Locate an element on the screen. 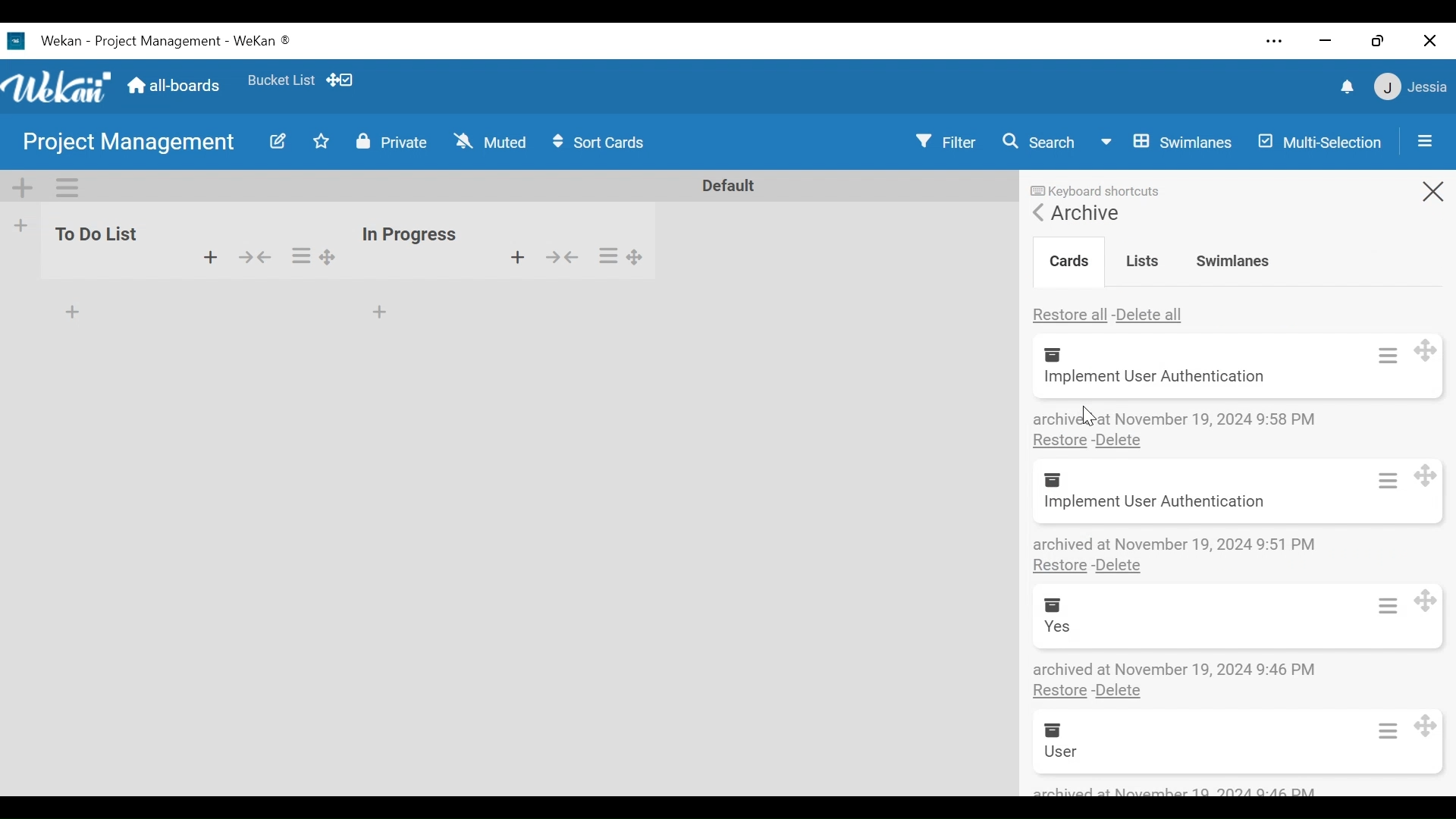  Filter is located at coordinates (946, 142).